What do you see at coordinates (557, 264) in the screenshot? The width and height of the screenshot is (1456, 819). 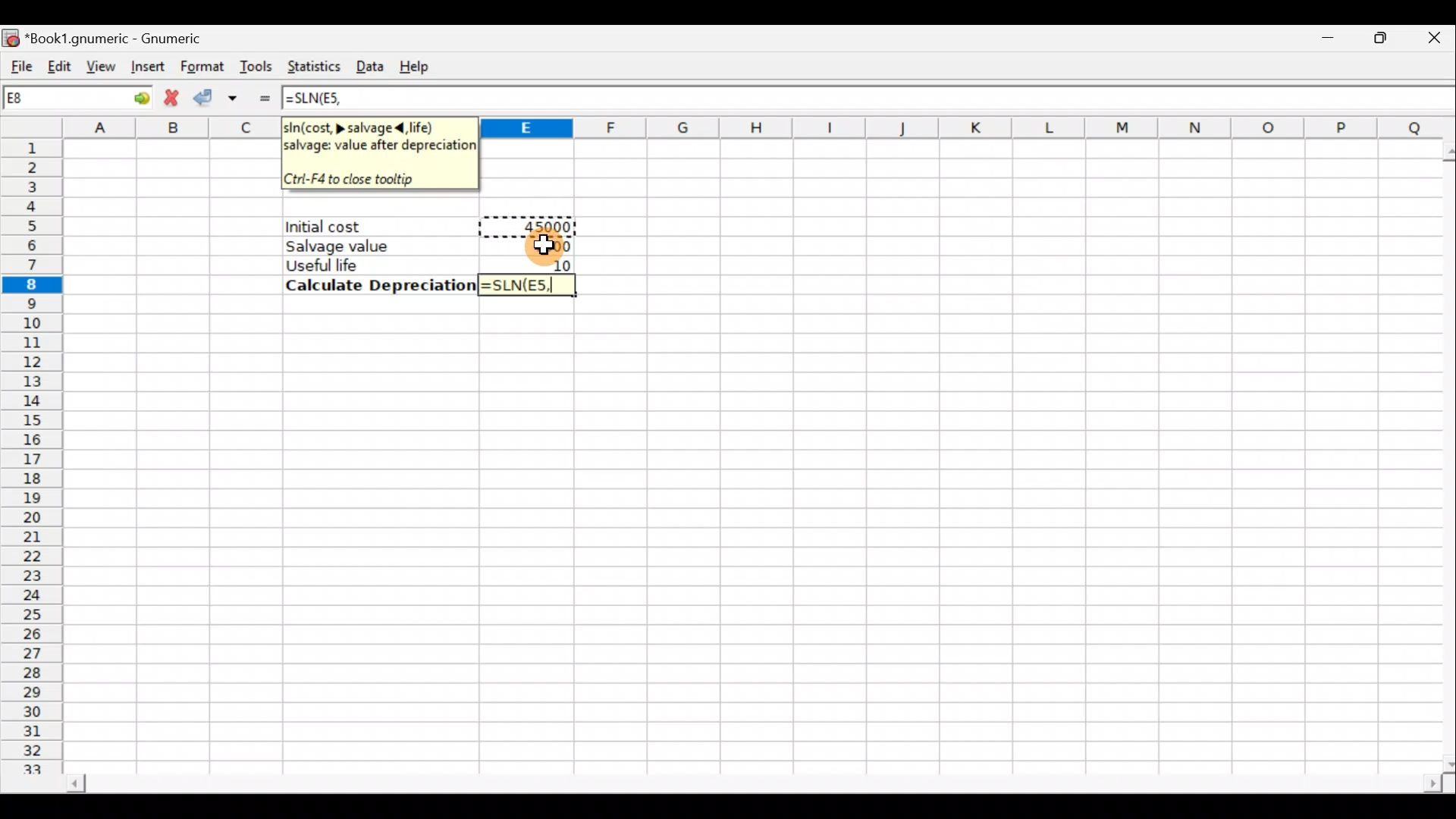 I see `10` at bounding box center [557, 264].